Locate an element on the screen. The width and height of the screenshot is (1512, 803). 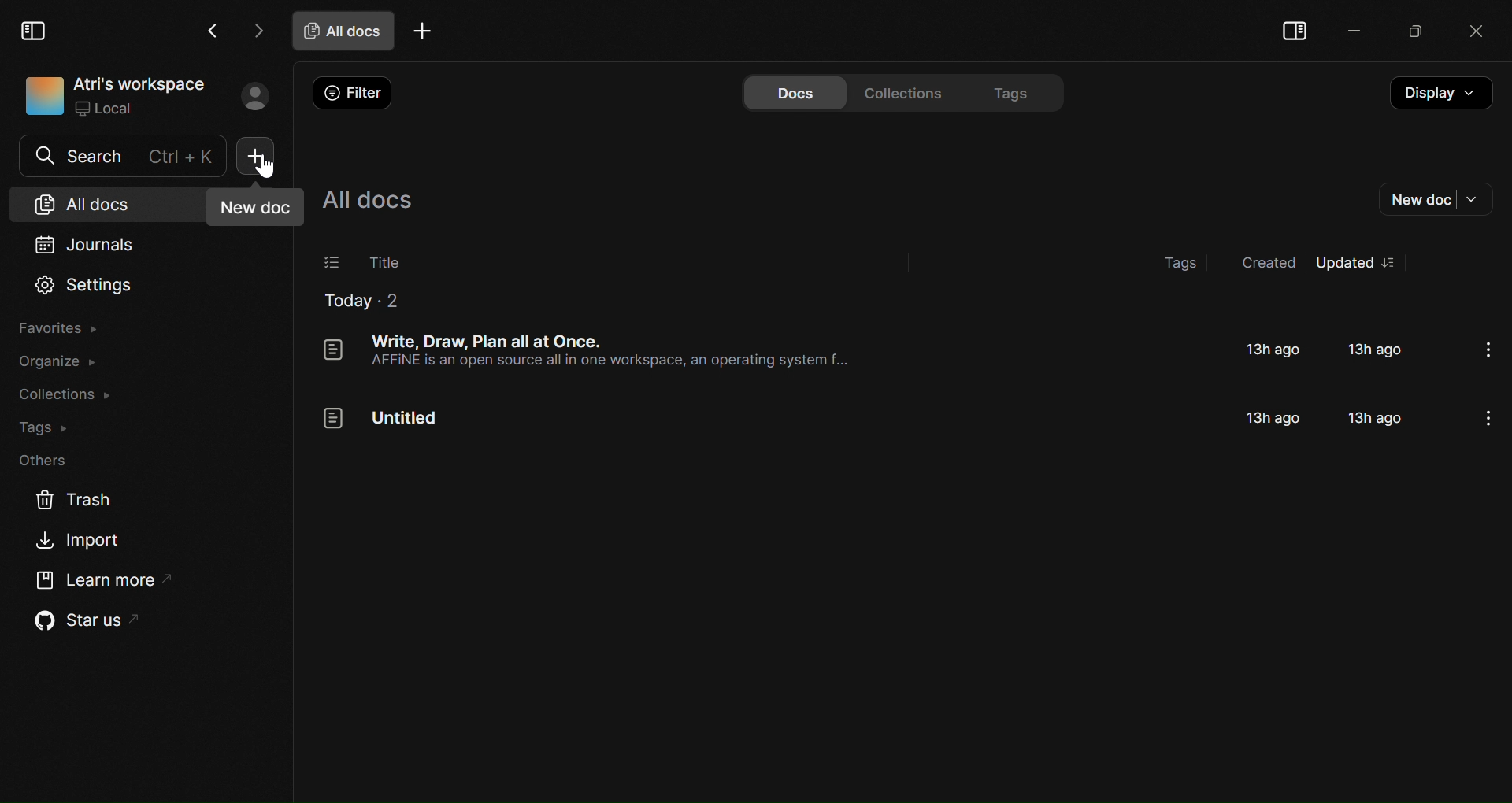
Untitled is located at coordinates (406, 418).